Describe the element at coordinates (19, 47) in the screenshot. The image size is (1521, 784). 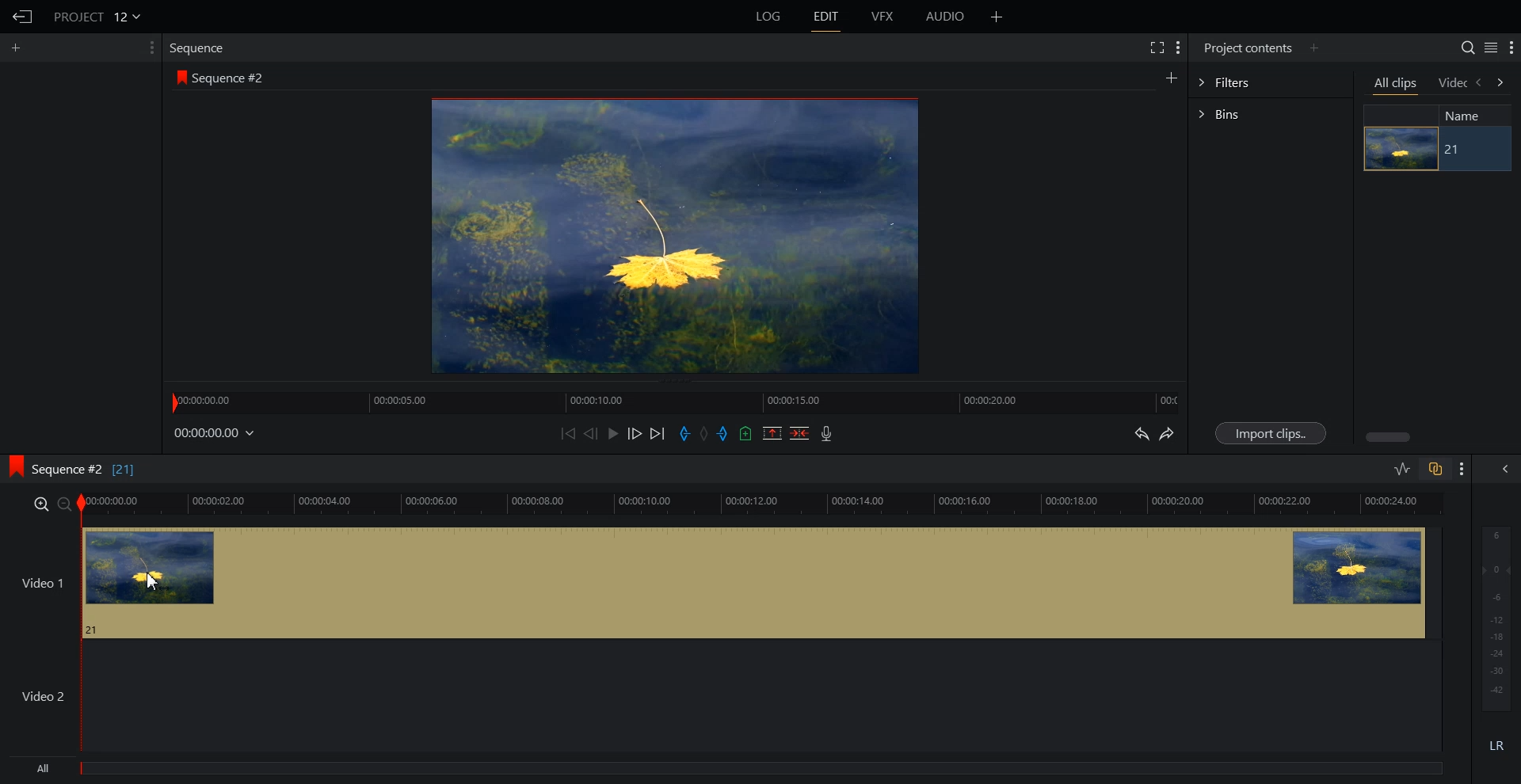
I see `Add Panel` at that location.